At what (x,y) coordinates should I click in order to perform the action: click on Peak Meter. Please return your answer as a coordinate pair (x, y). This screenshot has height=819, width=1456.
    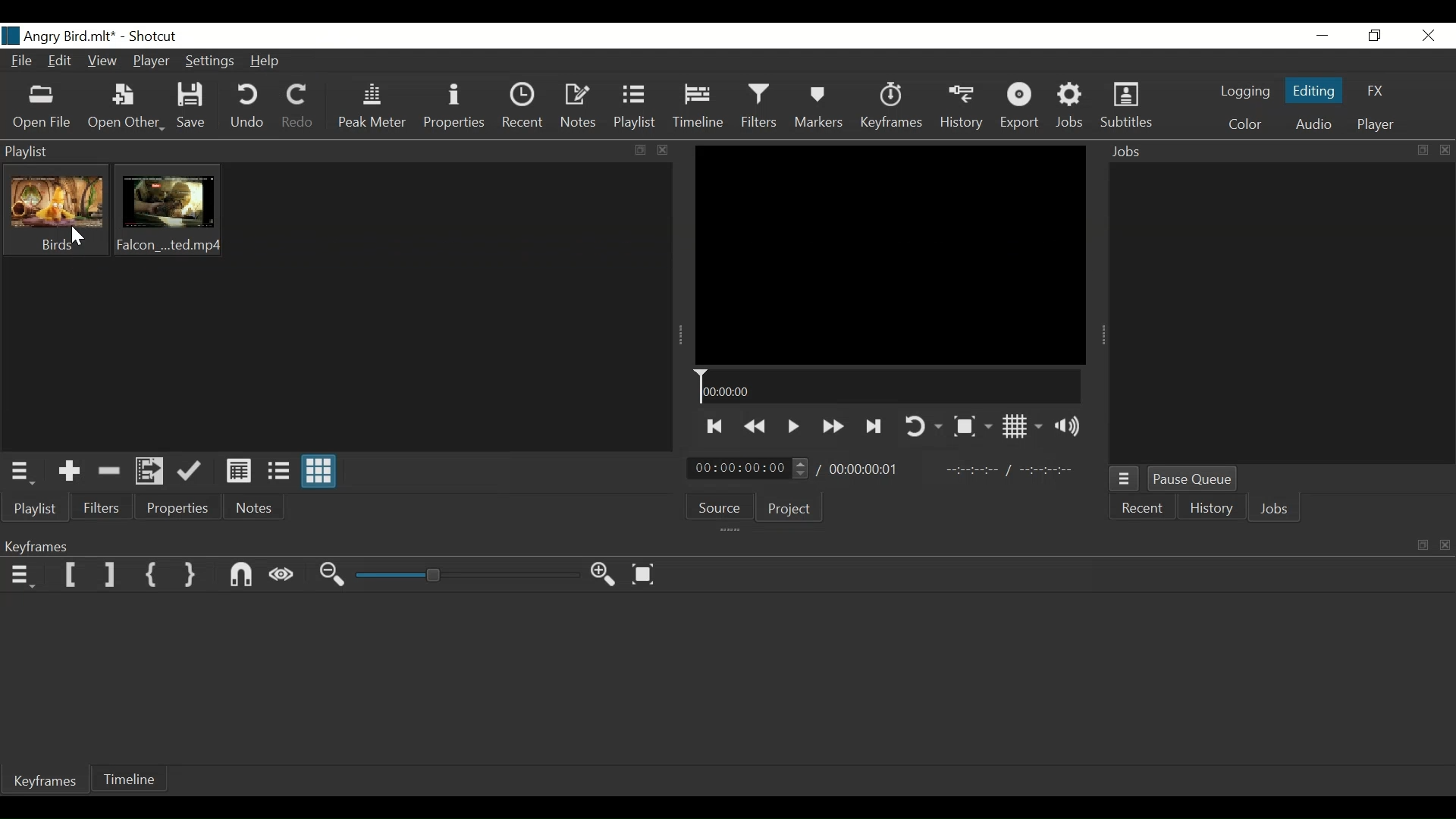
    Looking at the image, I should click on (369, 108).